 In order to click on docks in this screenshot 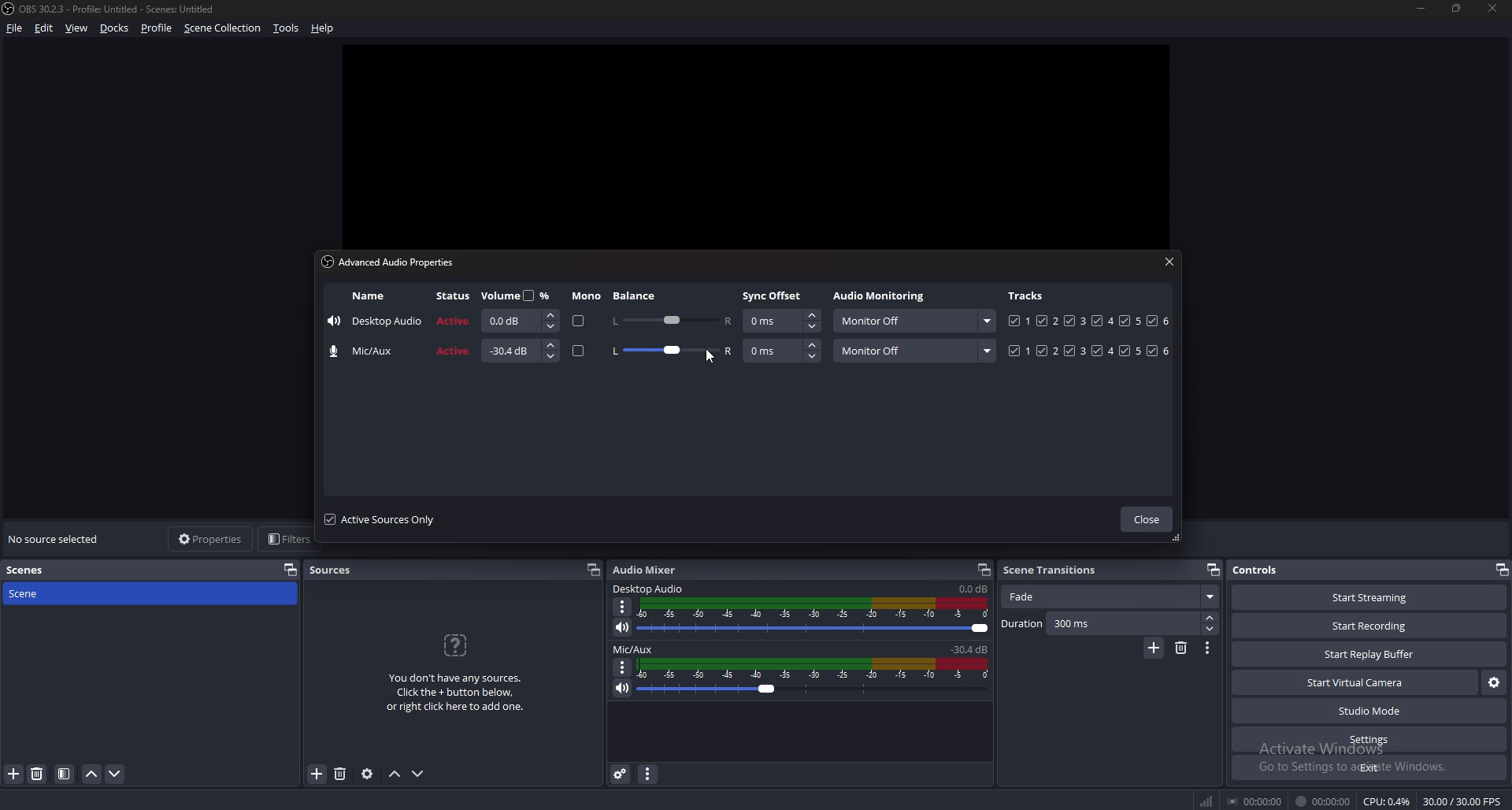, I will do `click(114, 28)`.